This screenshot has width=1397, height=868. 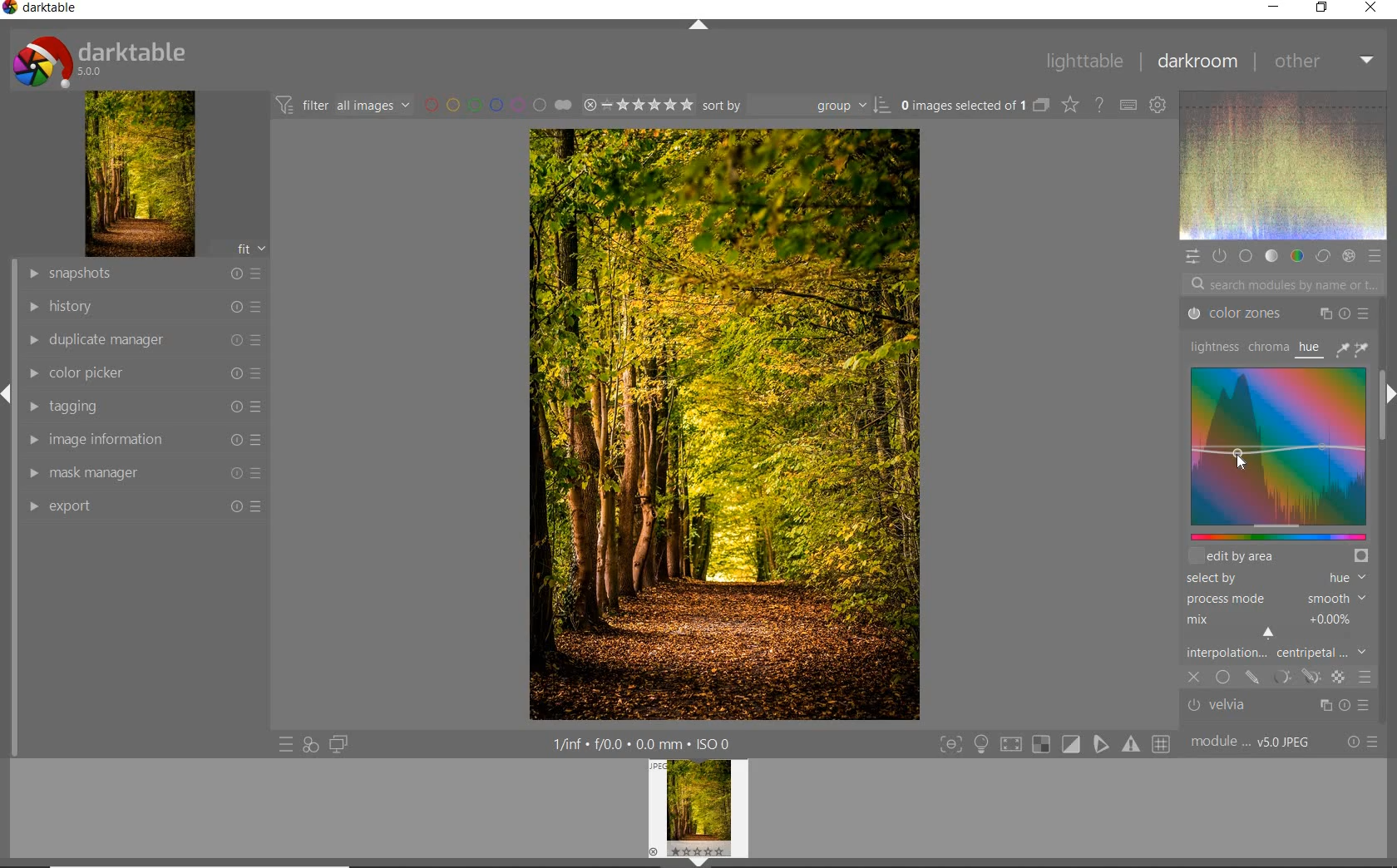 I want to click on IMAGE, so click(x=137, y=173).